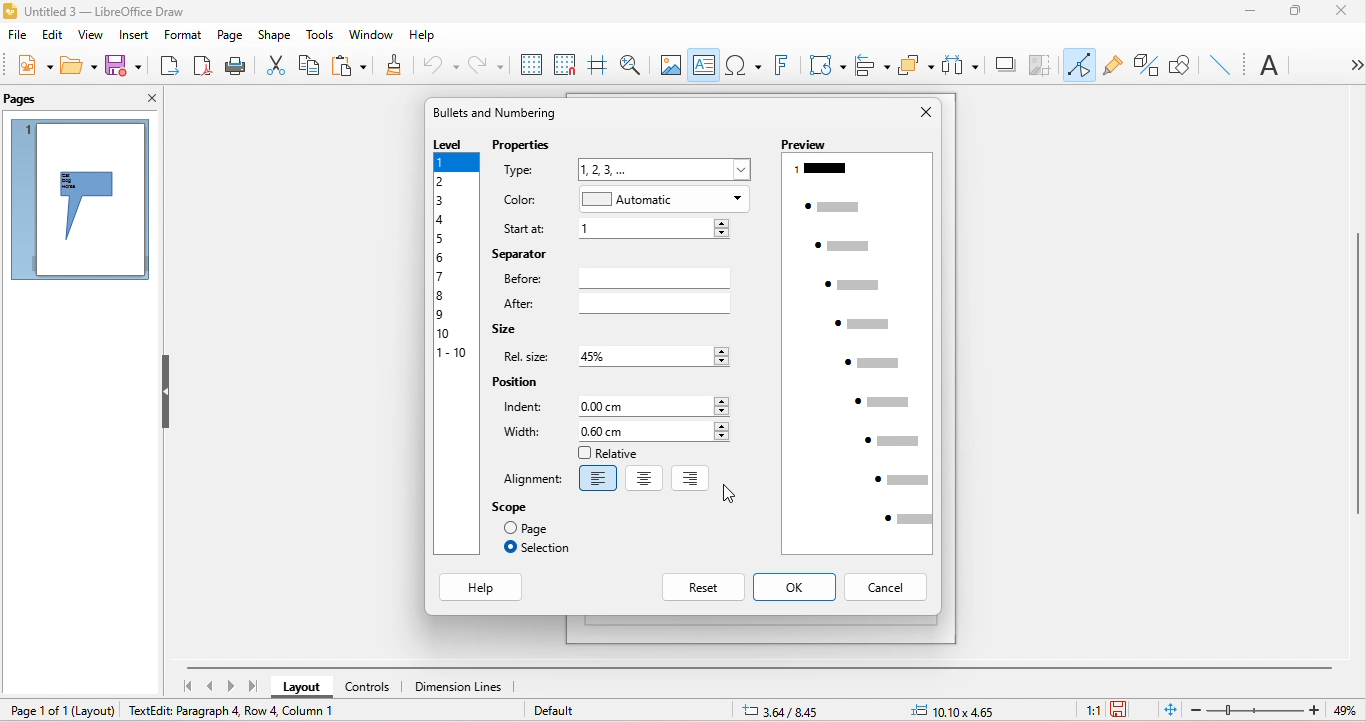  I want to click on indent, so click(525, 406).